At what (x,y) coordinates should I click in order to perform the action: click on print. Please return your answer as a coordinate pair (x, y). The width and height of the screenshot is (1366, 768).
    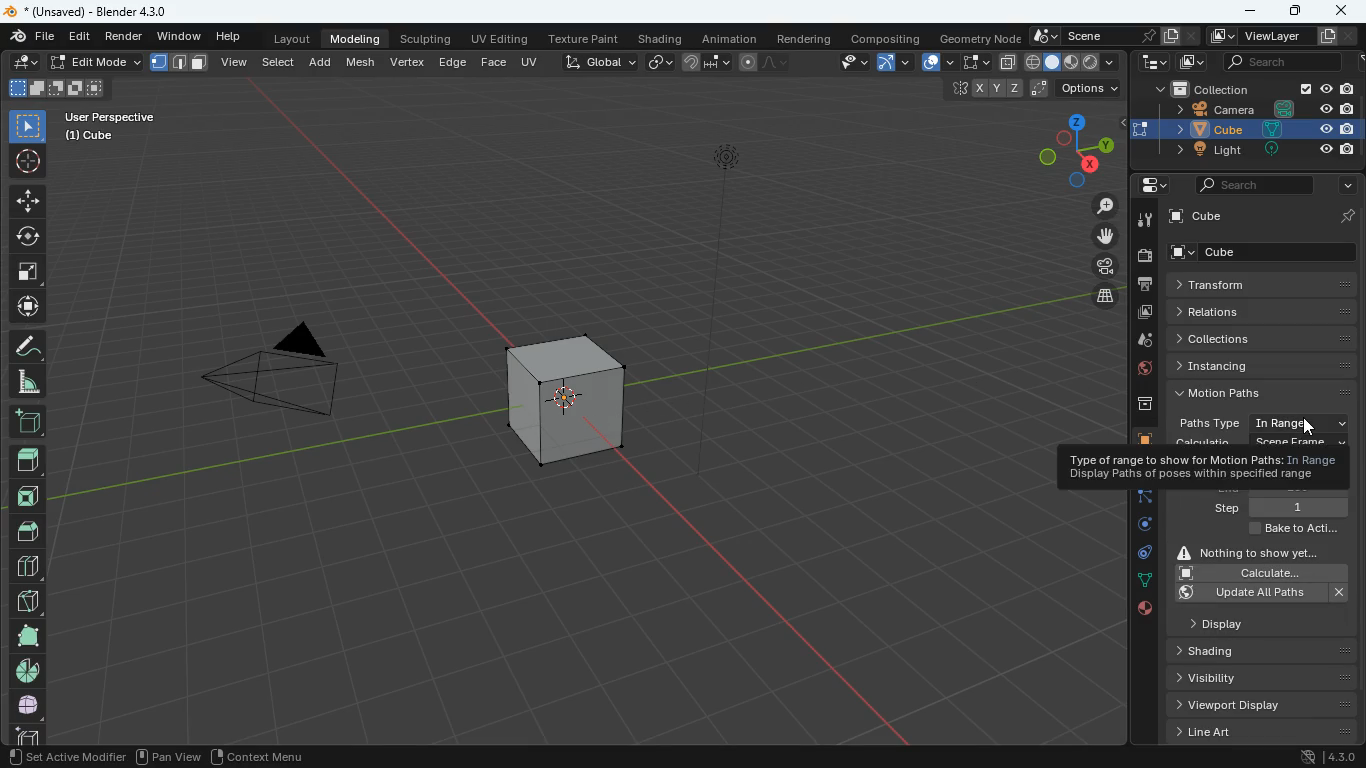
    Looking at the image, I should click on (1144, 285).